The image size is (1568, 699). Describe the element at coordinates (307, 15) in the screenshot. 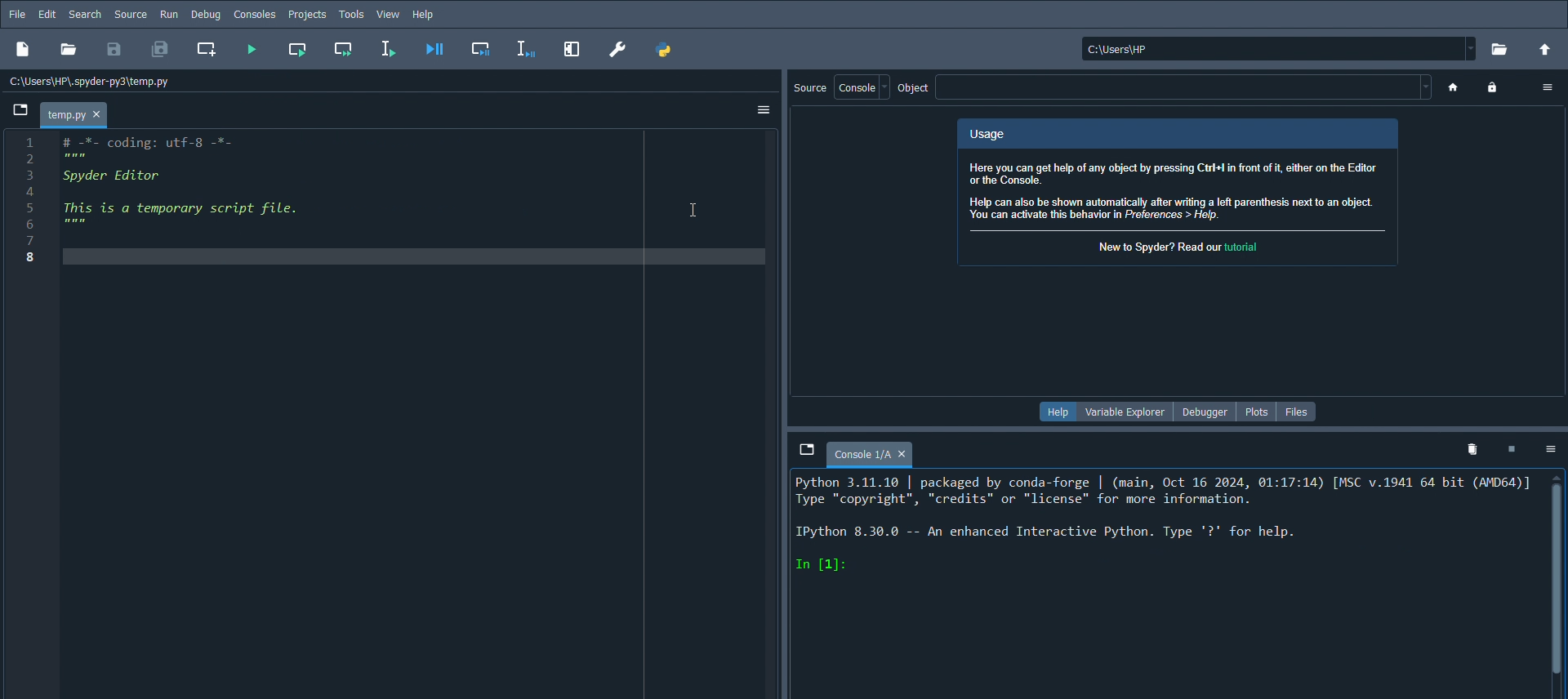

I see `Projects` at that location.